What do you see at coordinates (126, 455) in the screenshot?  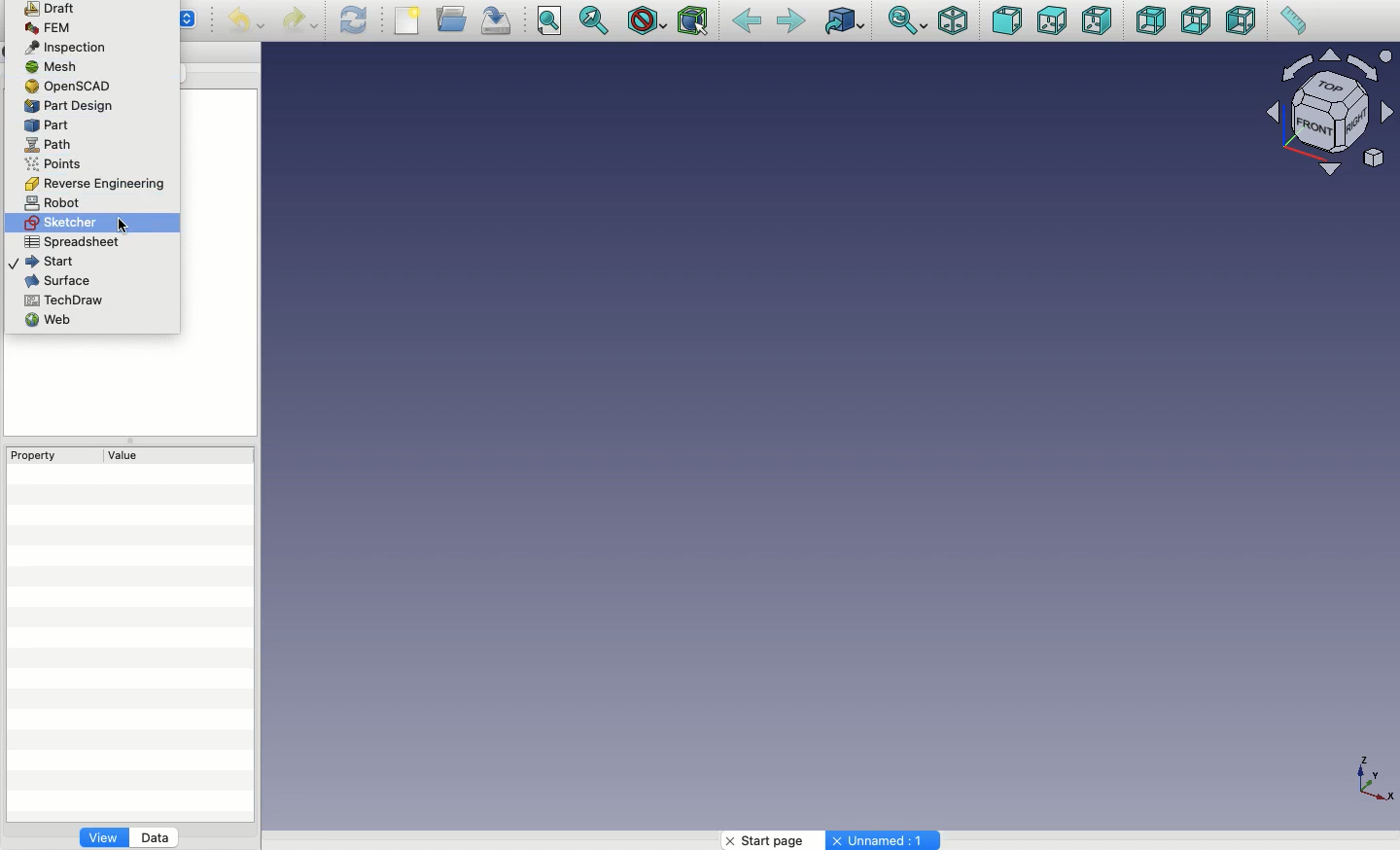 I see `Value` at bounding box center [126, 455].